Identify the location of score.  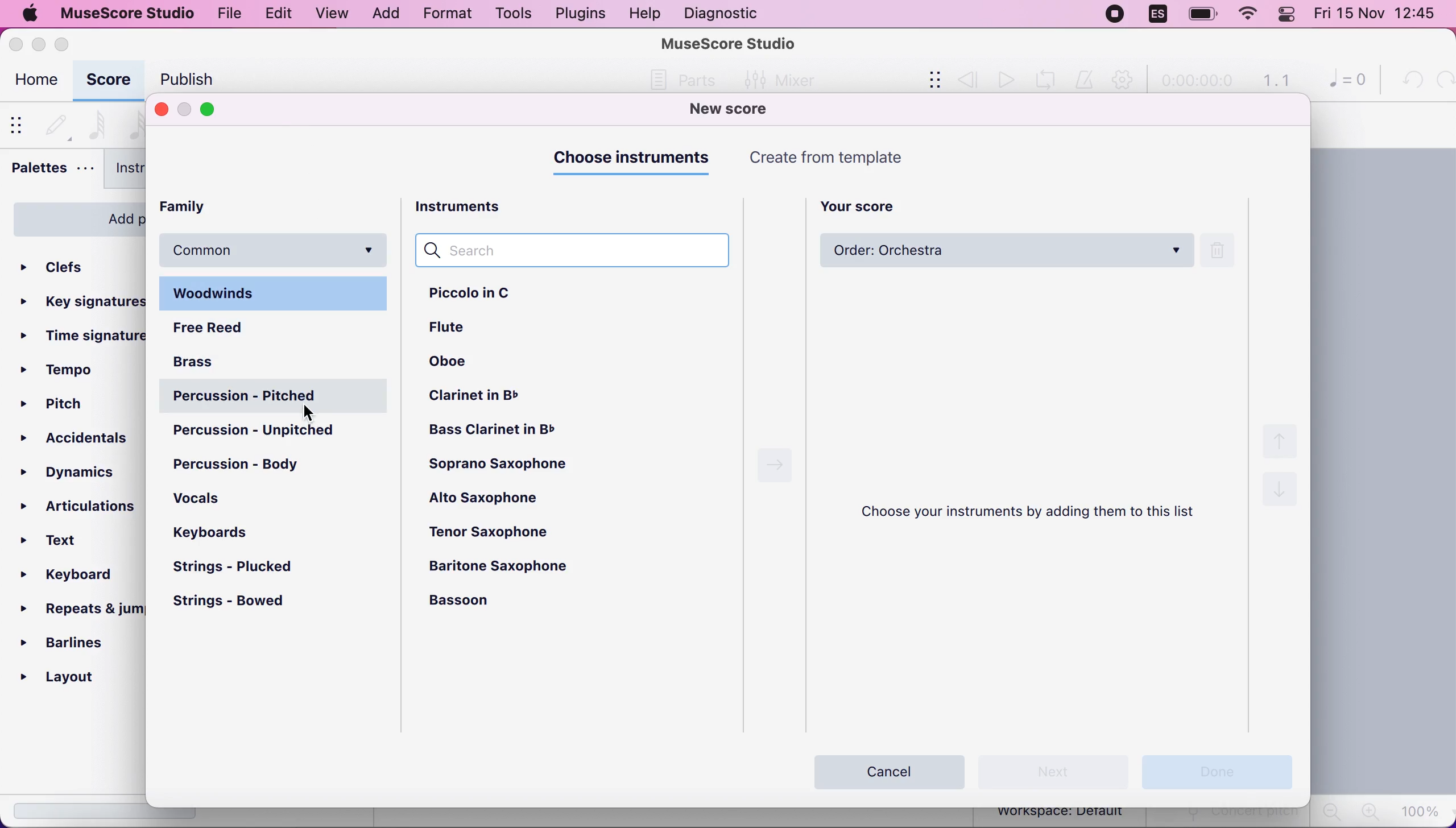
(108, 81).